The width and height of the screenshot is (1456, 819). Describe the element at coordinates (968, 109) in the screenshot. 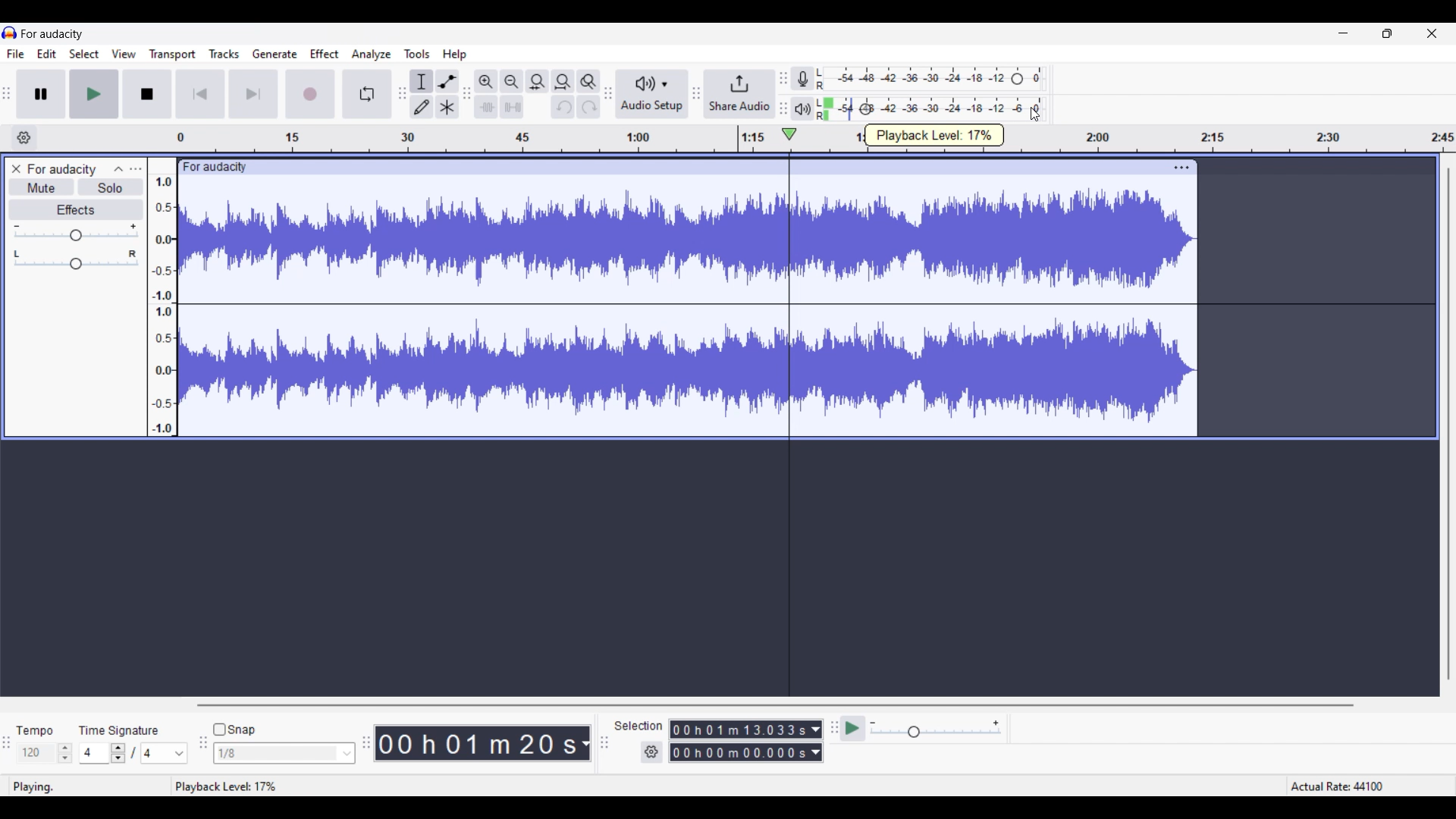

I see `Playback level` at that location.